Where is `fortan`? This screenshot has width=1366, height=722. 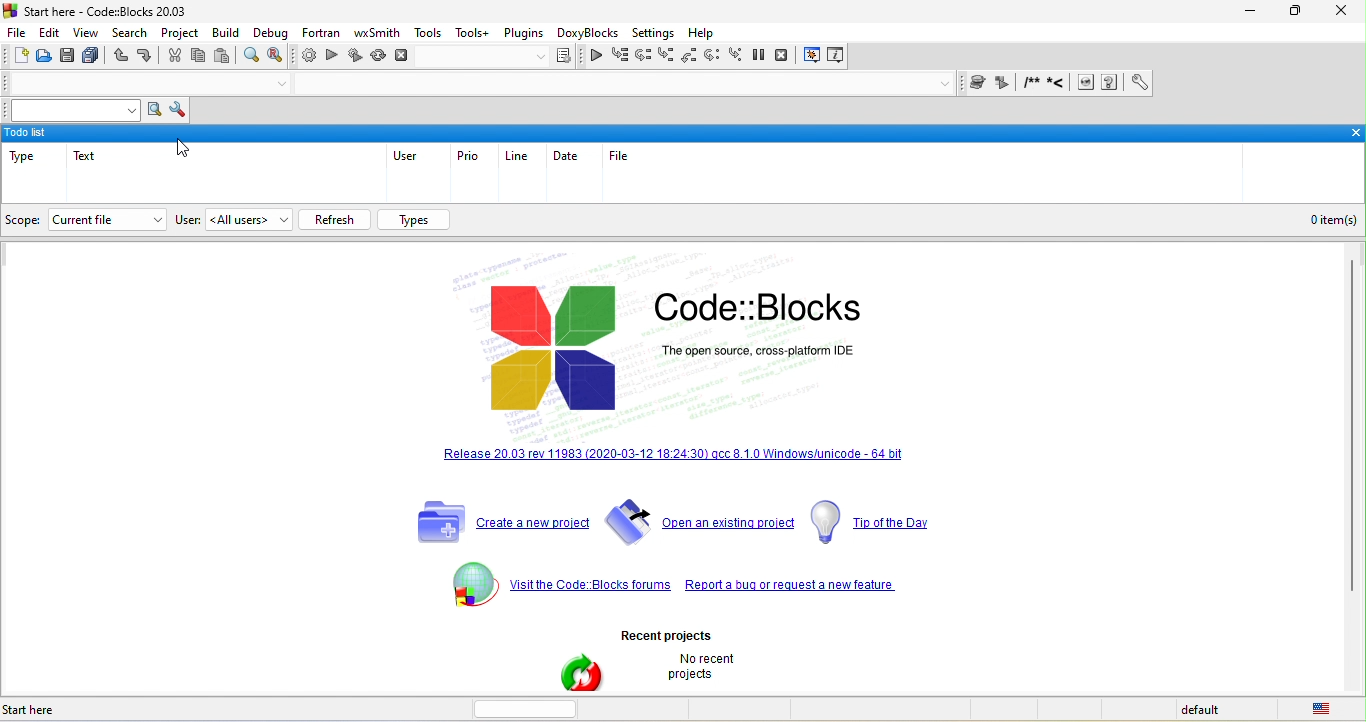 fortan is located at coordinates (318, 35).